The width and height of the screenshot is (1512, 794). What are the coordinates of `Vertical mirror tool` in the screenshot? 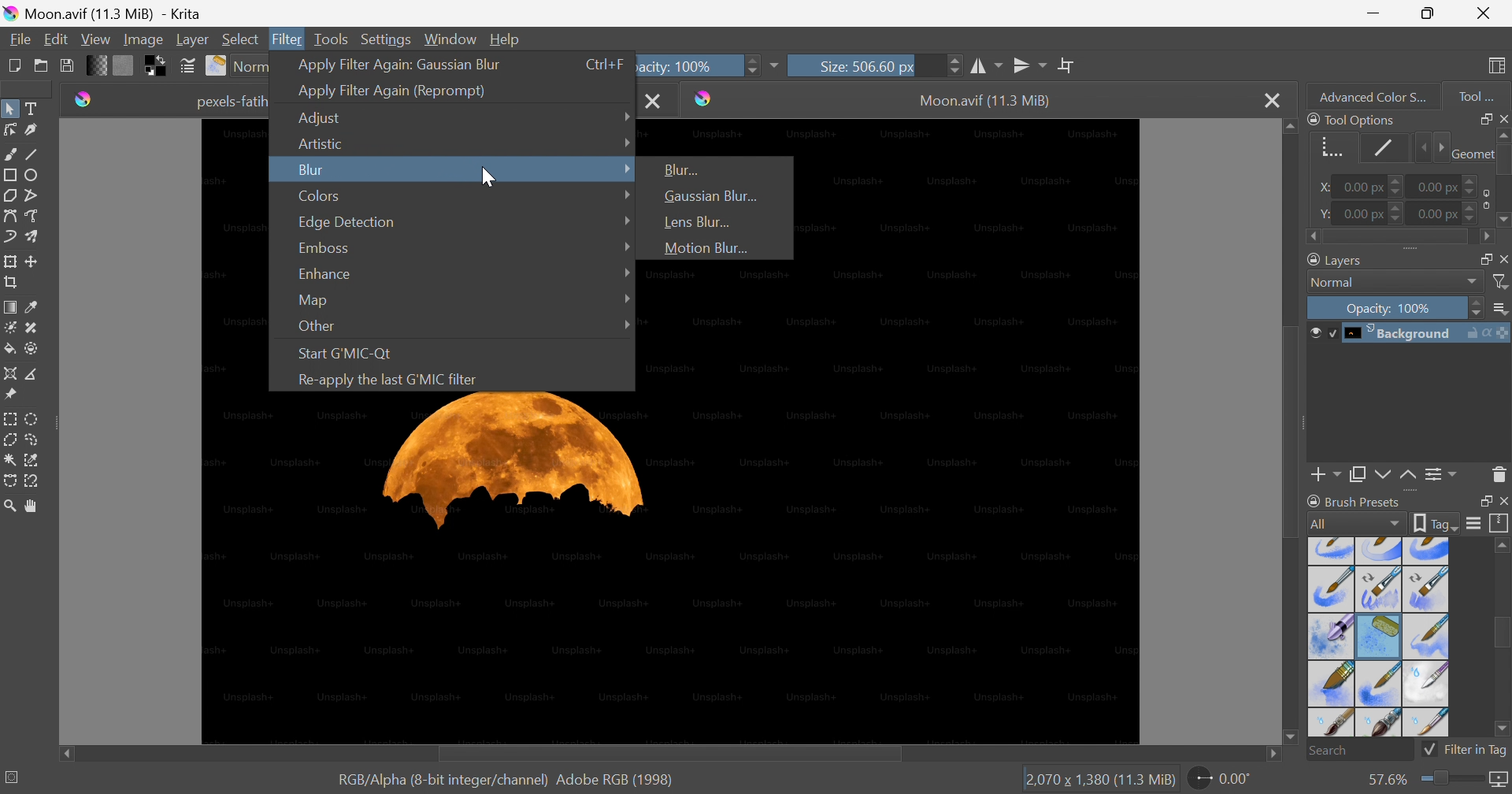 It's located at (1030, 65).